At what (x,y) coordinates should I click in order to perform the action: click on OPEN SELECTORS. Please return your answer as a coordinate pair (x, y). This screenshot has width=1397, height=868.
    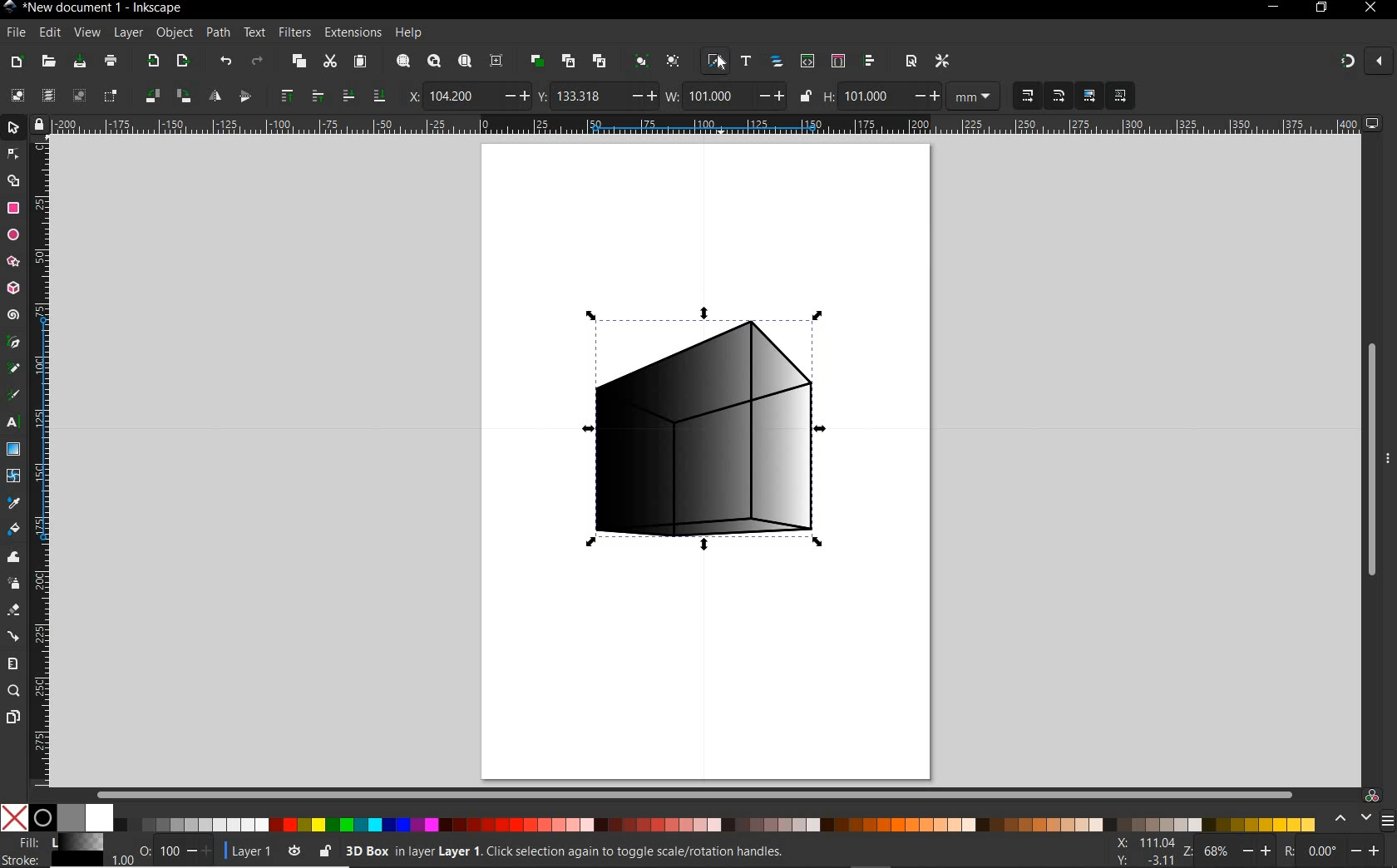
    Looking at the image, I should click on (837, 60).